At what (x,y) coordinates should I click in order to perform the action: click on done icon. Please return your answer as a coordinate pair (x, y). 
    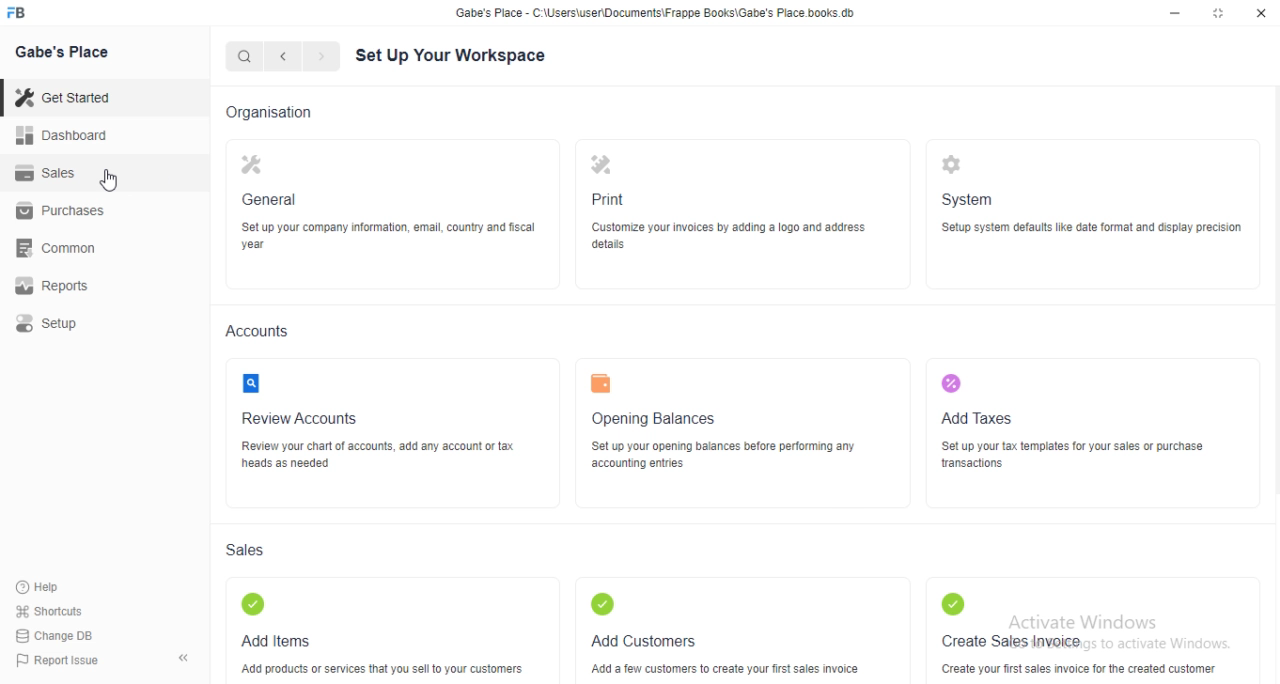
    Looking at the image, I should click on (254, 604).